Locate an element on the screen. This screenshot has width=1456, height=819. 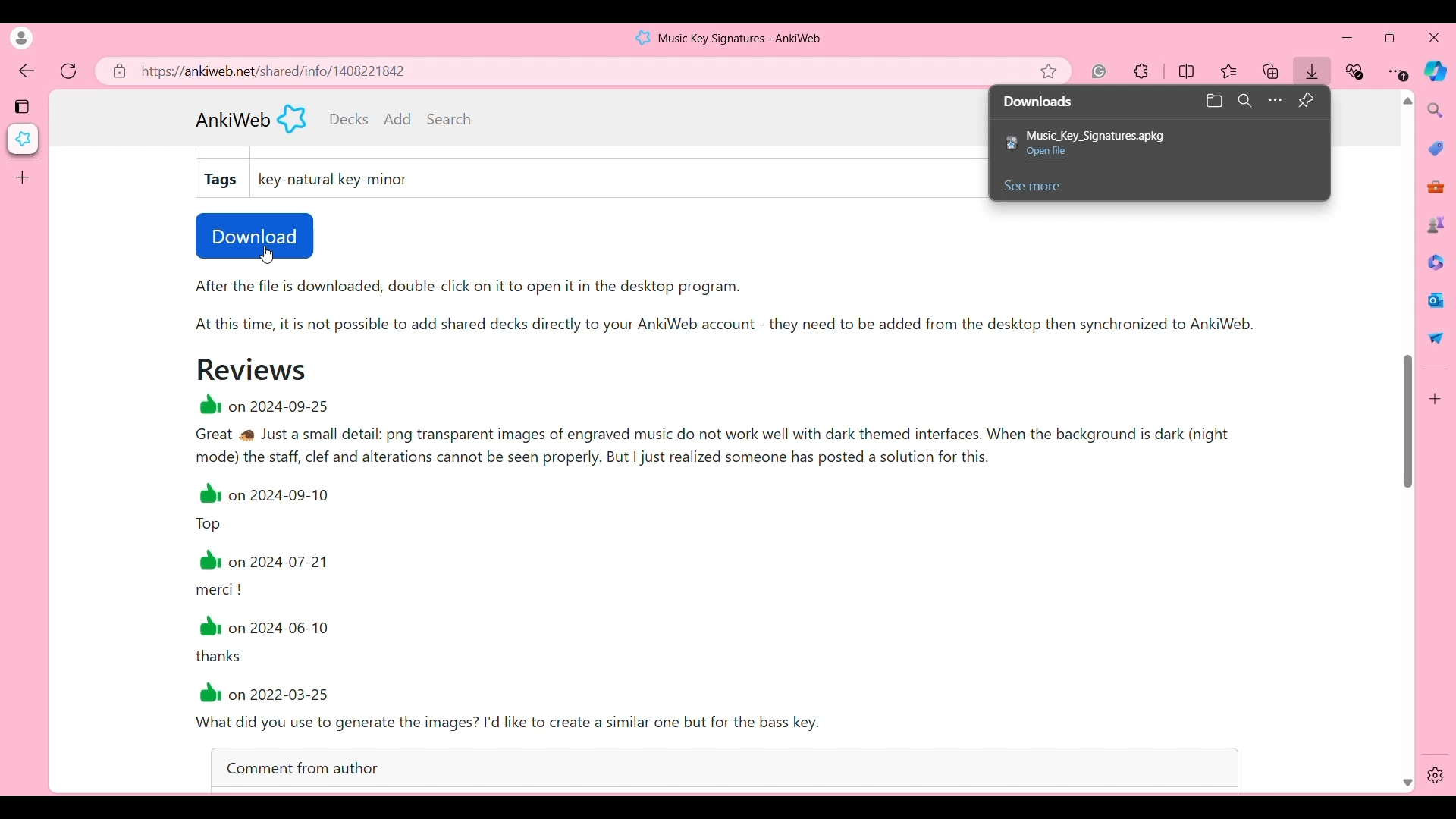
Split screen is located at coordinates (1186, 71).